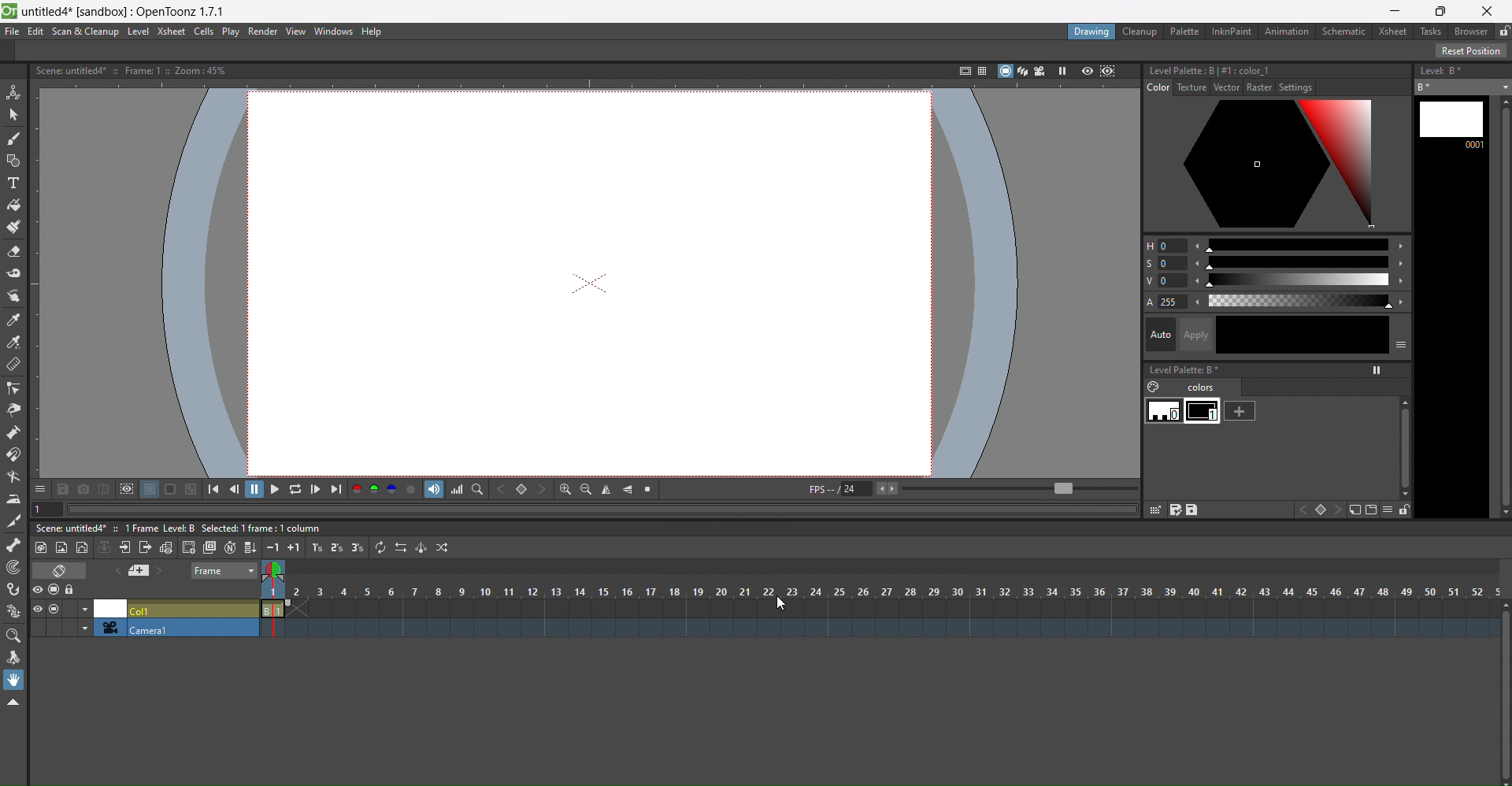  I want to click on type tool, so click(13, 184).